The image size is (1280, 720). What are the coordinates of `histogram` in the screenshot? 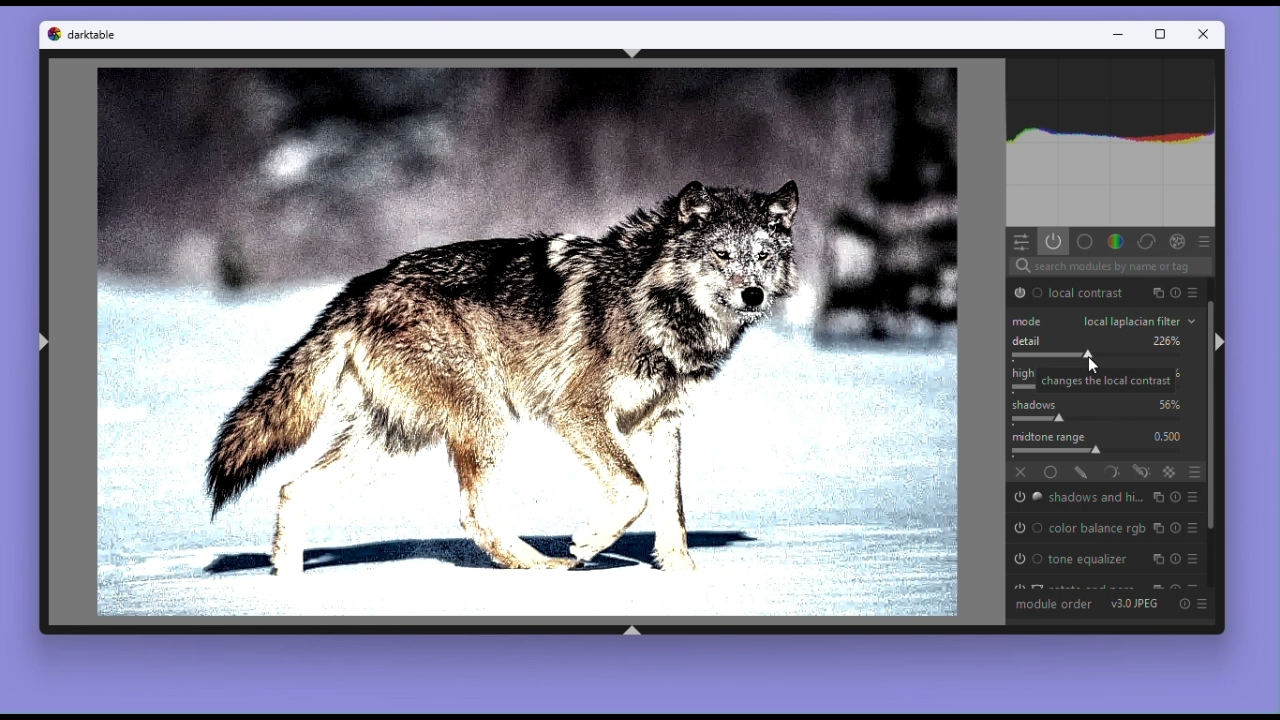 It's located at (1113, 140).